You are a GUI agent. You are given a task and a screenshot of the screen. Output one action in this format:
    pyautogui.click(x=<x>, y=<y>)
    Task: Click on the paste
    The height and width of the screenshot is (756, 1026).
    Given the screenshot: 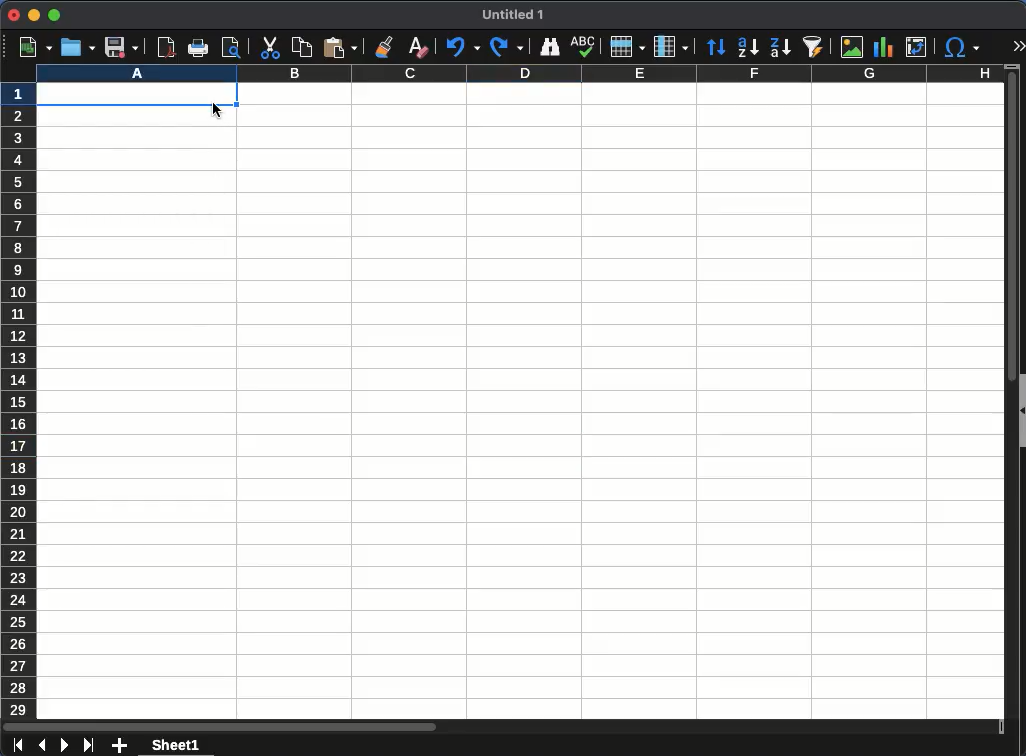 What is the action you would take?
    pyautogui.click(x=339, y=48)
    